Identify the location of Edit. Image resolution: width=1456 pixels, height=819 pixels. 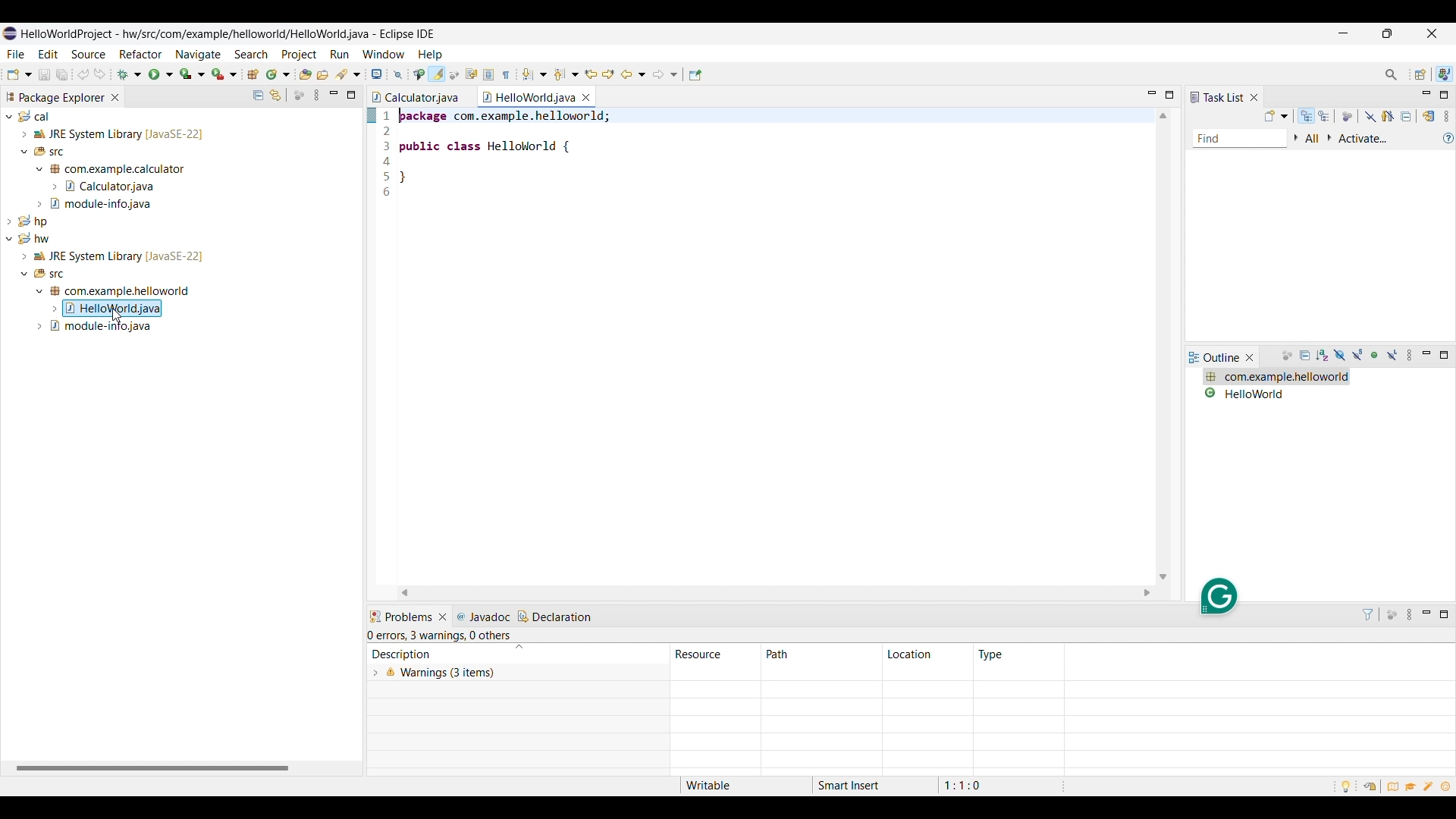
(48, 53).